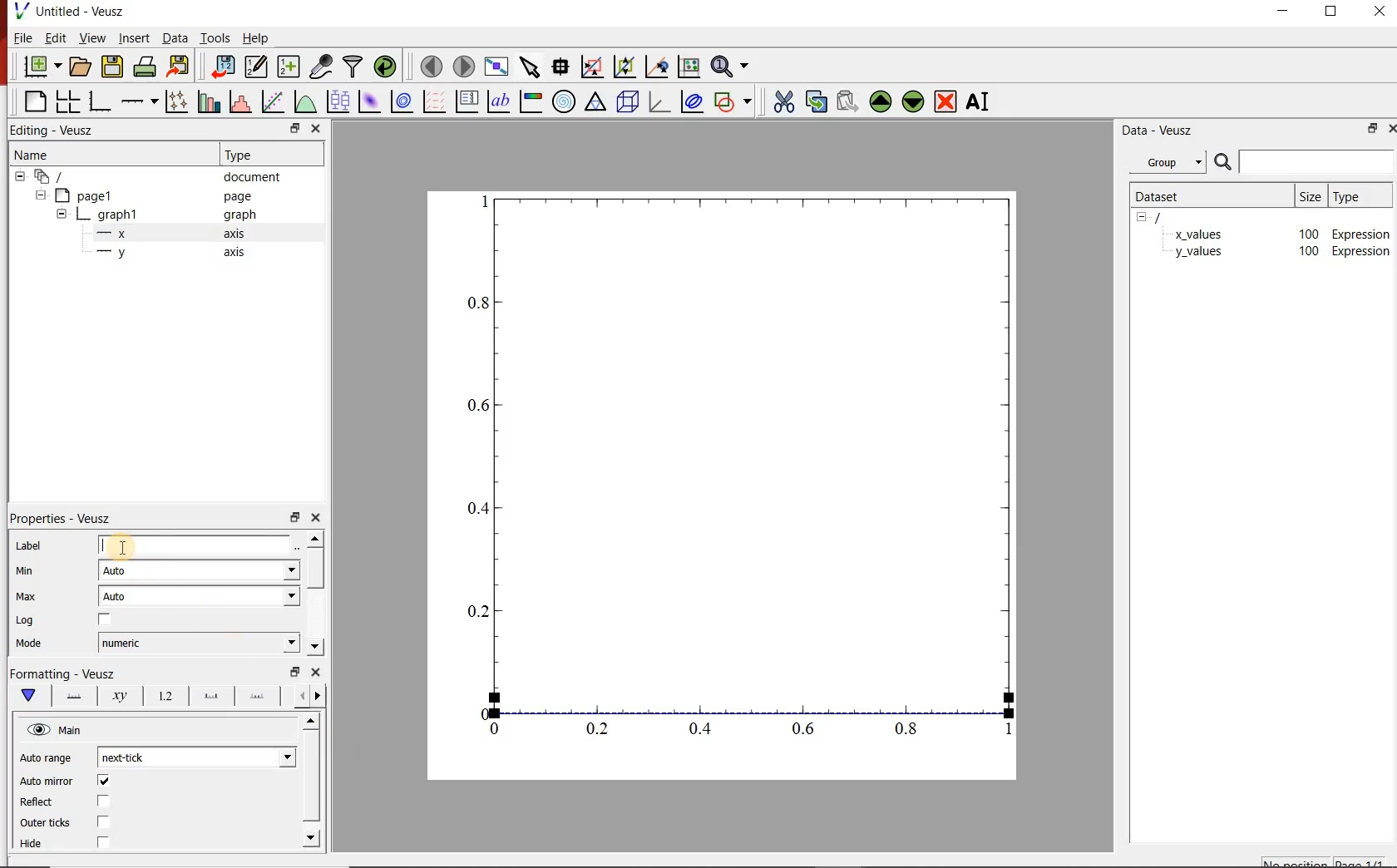  I want to click on hide, so click(62, 213).